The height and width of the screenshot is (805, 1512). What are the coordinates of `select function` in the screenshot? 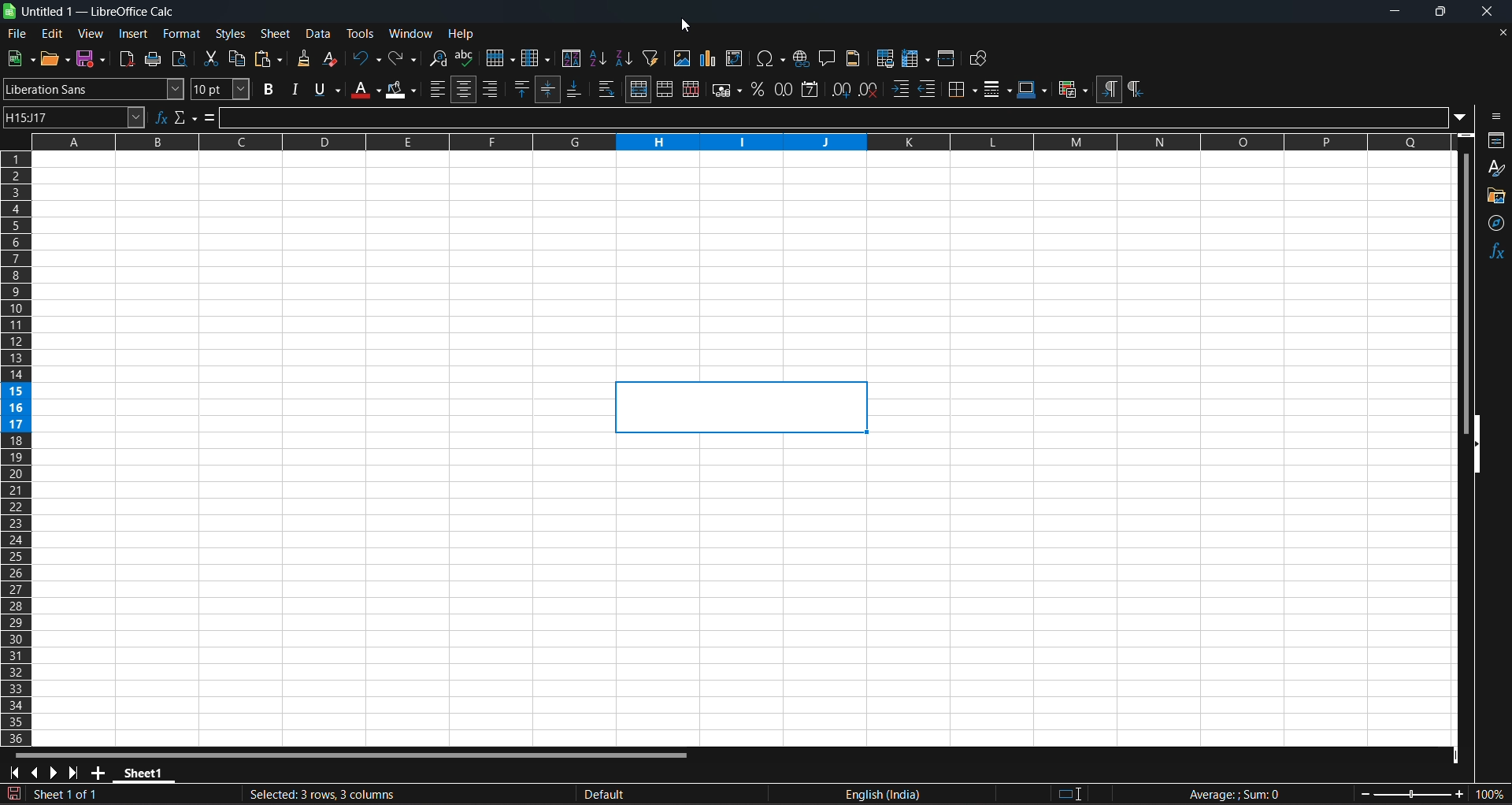 It's located at (188, 117).